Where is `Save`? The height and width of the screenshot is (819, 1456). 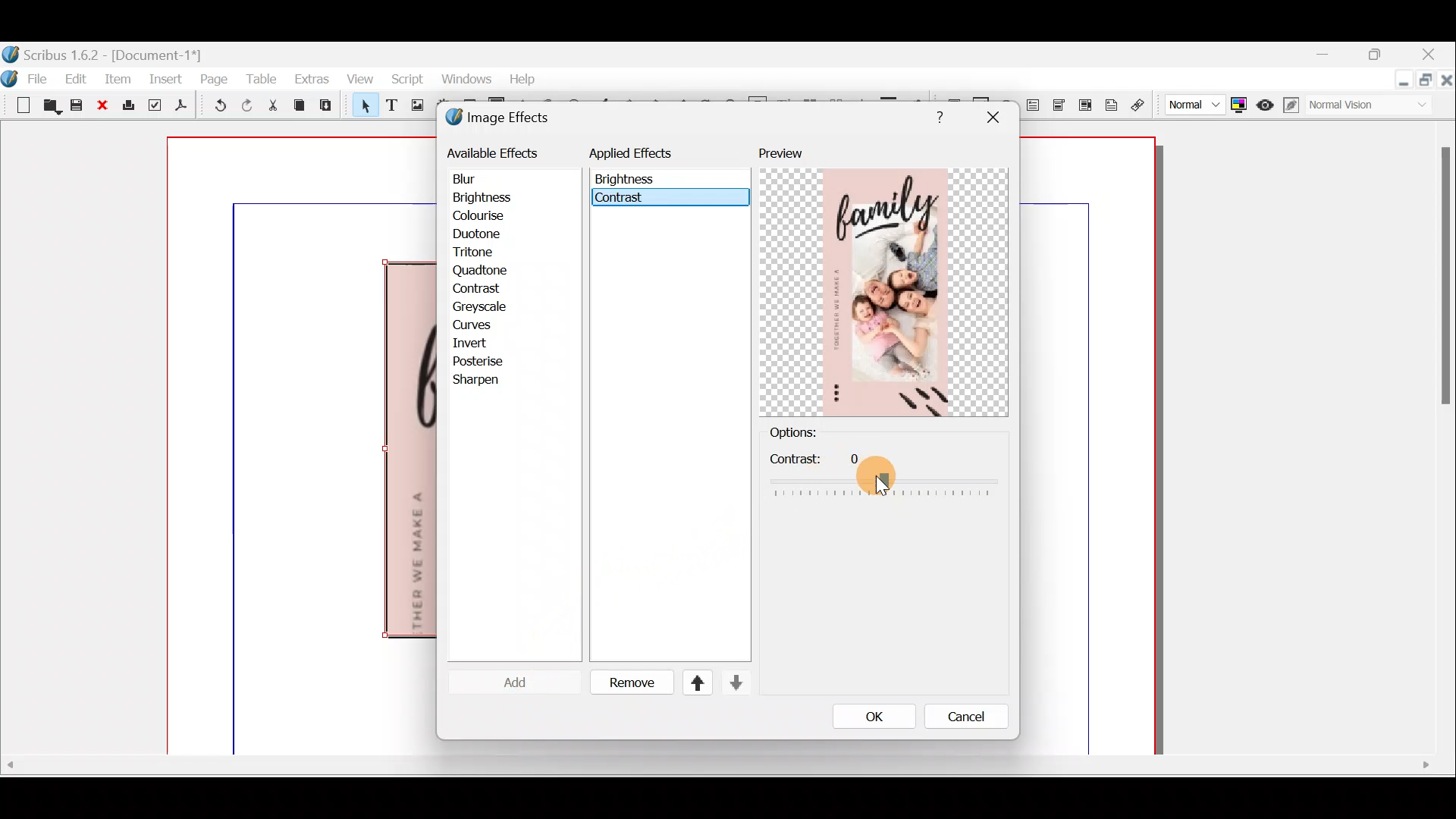 Save is located at coordinates (79, 107).